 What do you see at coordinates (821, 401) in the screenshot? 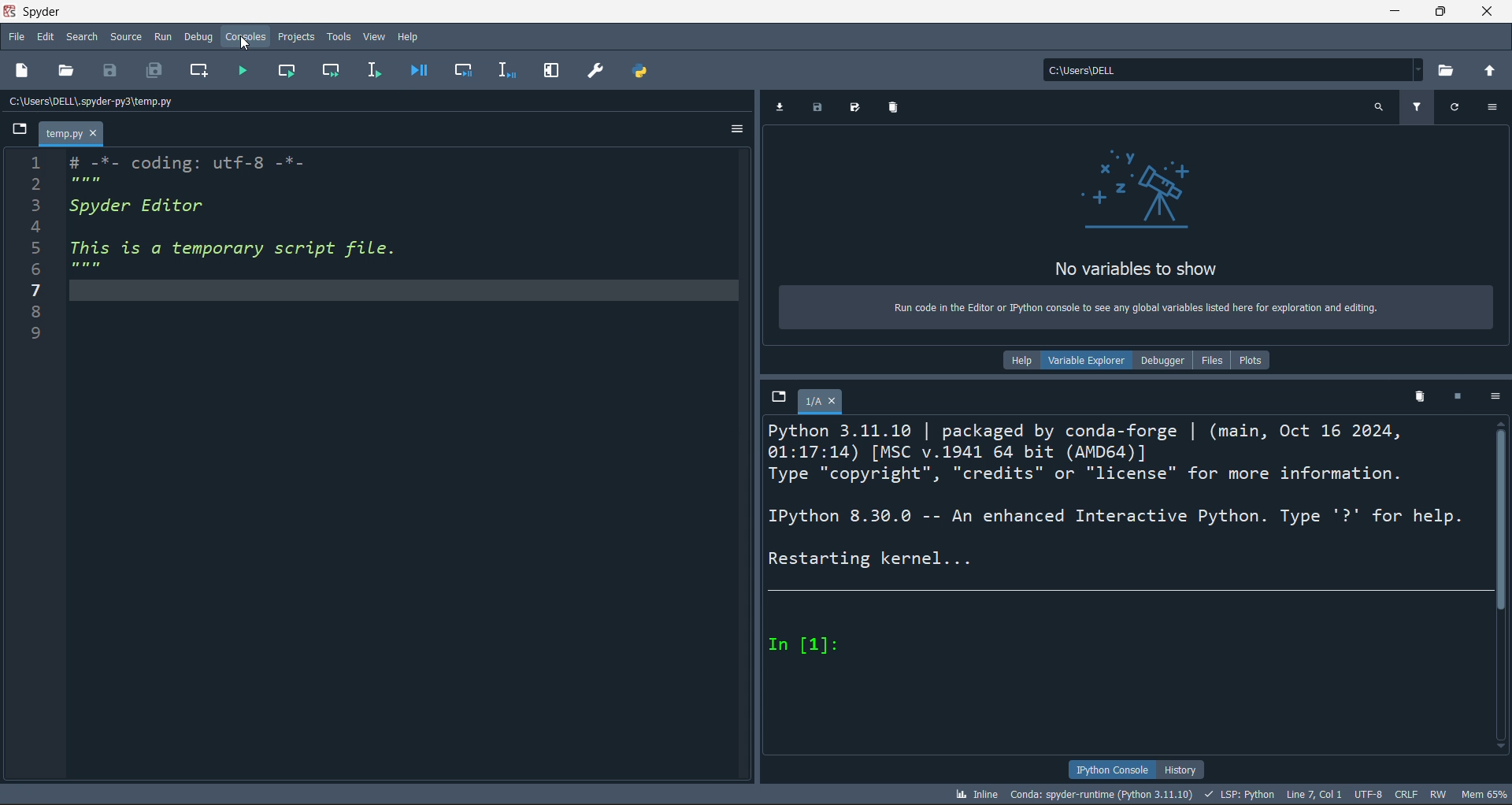
I see `1/A` at bounding box center [821, 401].